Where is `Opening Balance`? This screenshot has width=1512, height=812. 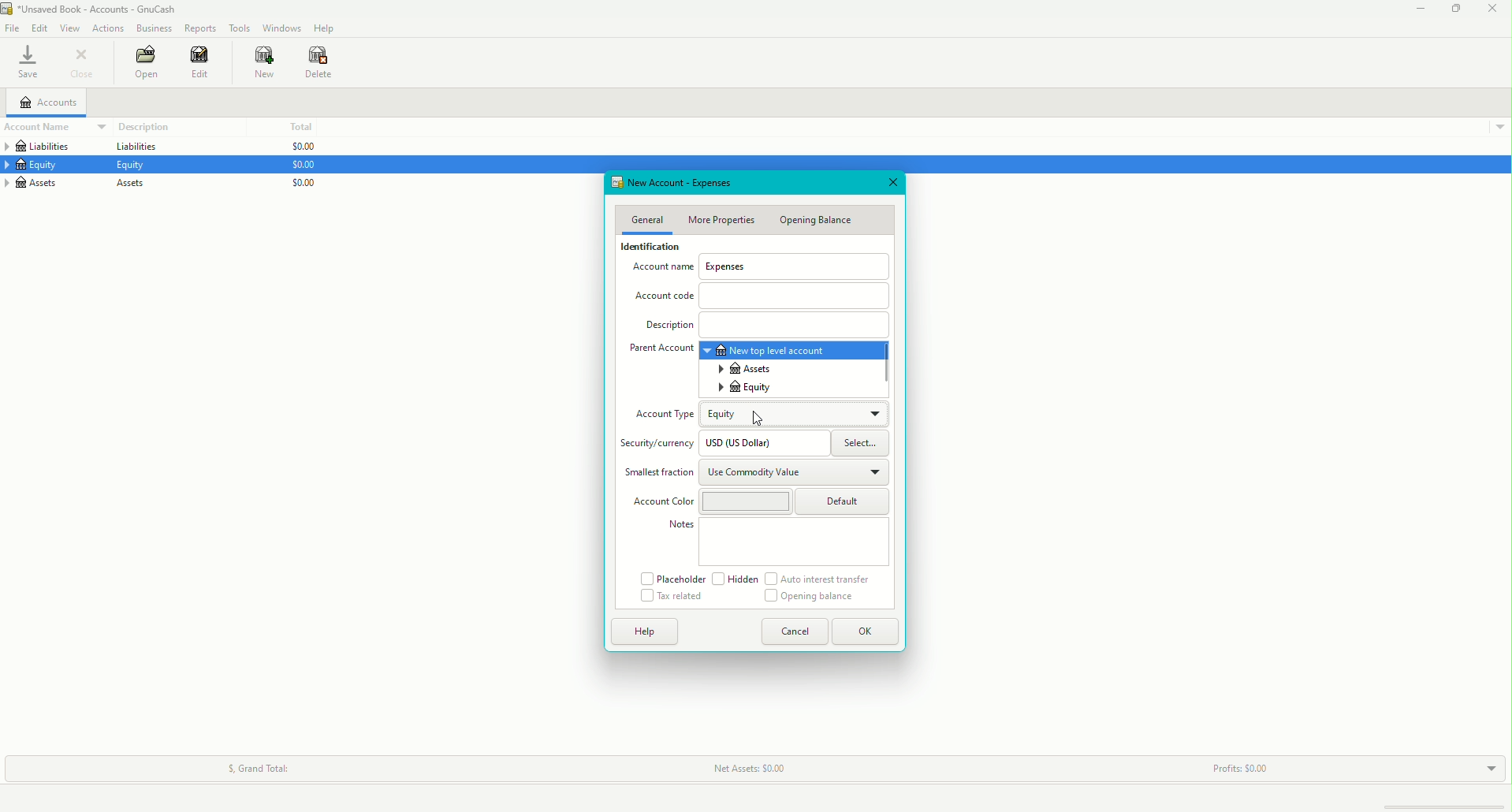 Opening Balance is located at coordinates (819, 222).